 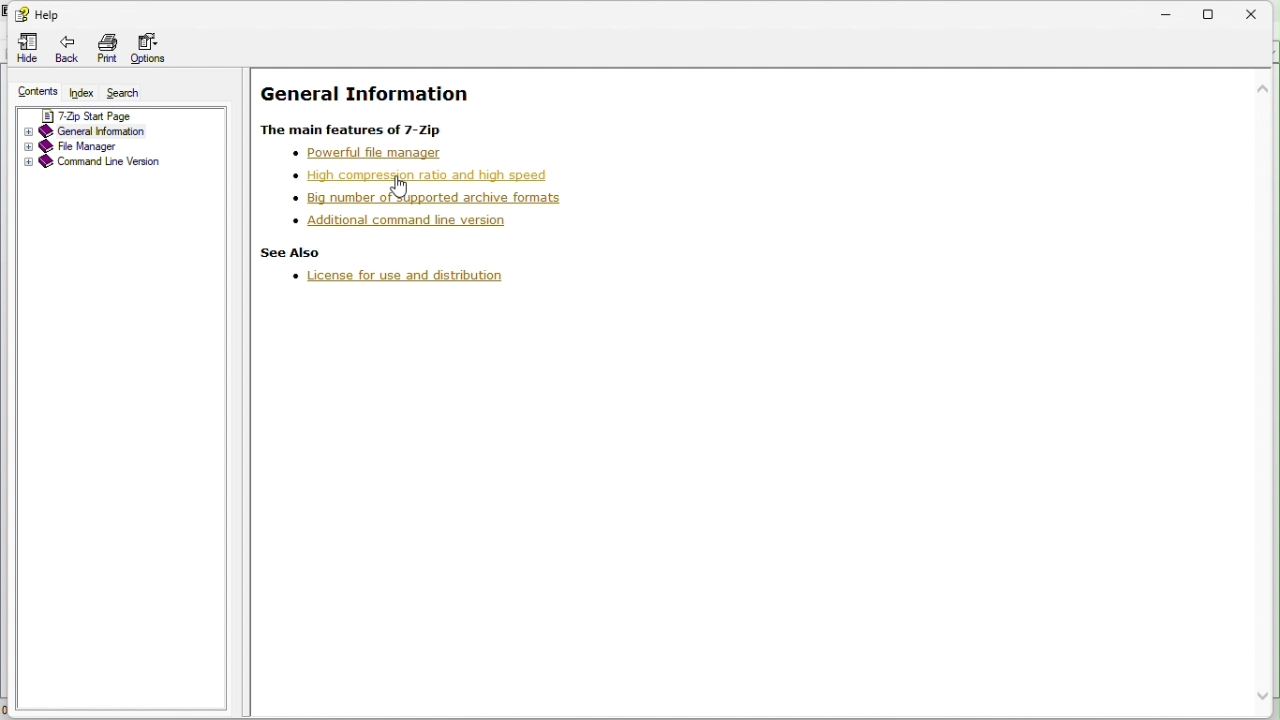 What do you see at coordinates (83, 93) in the screenshot?
I see `index` at bounding box center [83, 93].